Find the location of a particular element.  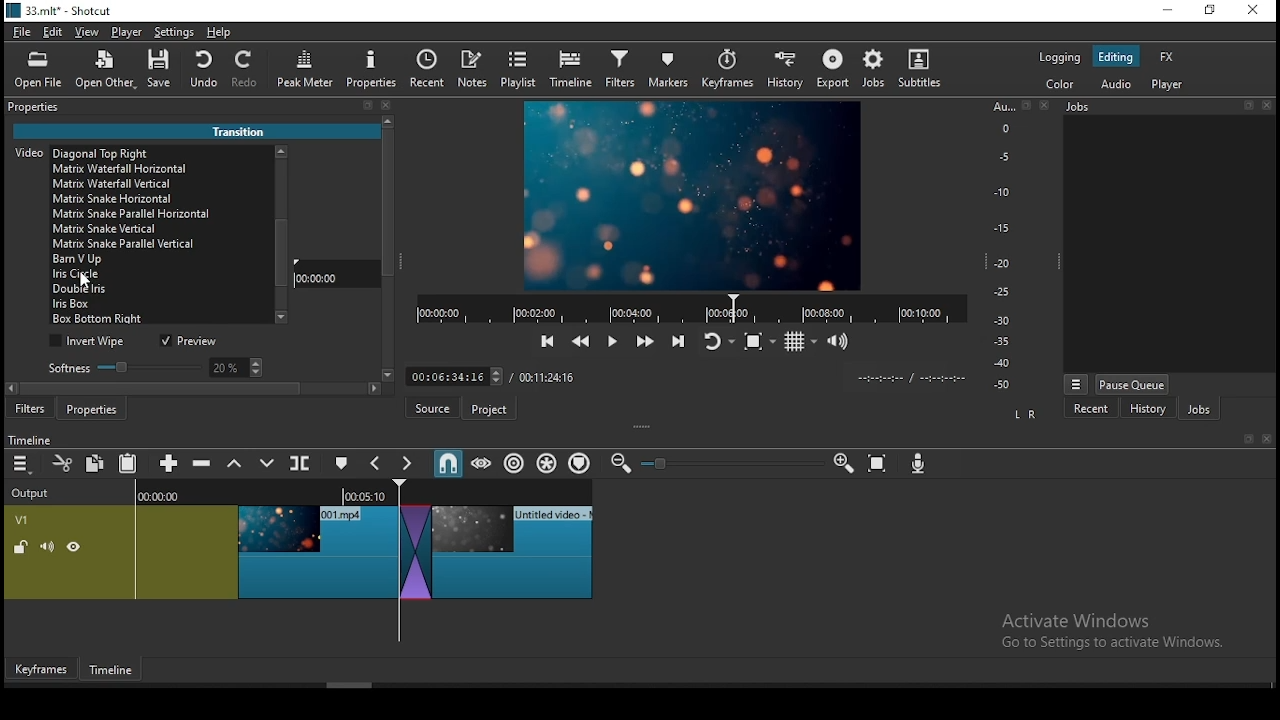

skip to previous point is located at coordinates (545, 342).